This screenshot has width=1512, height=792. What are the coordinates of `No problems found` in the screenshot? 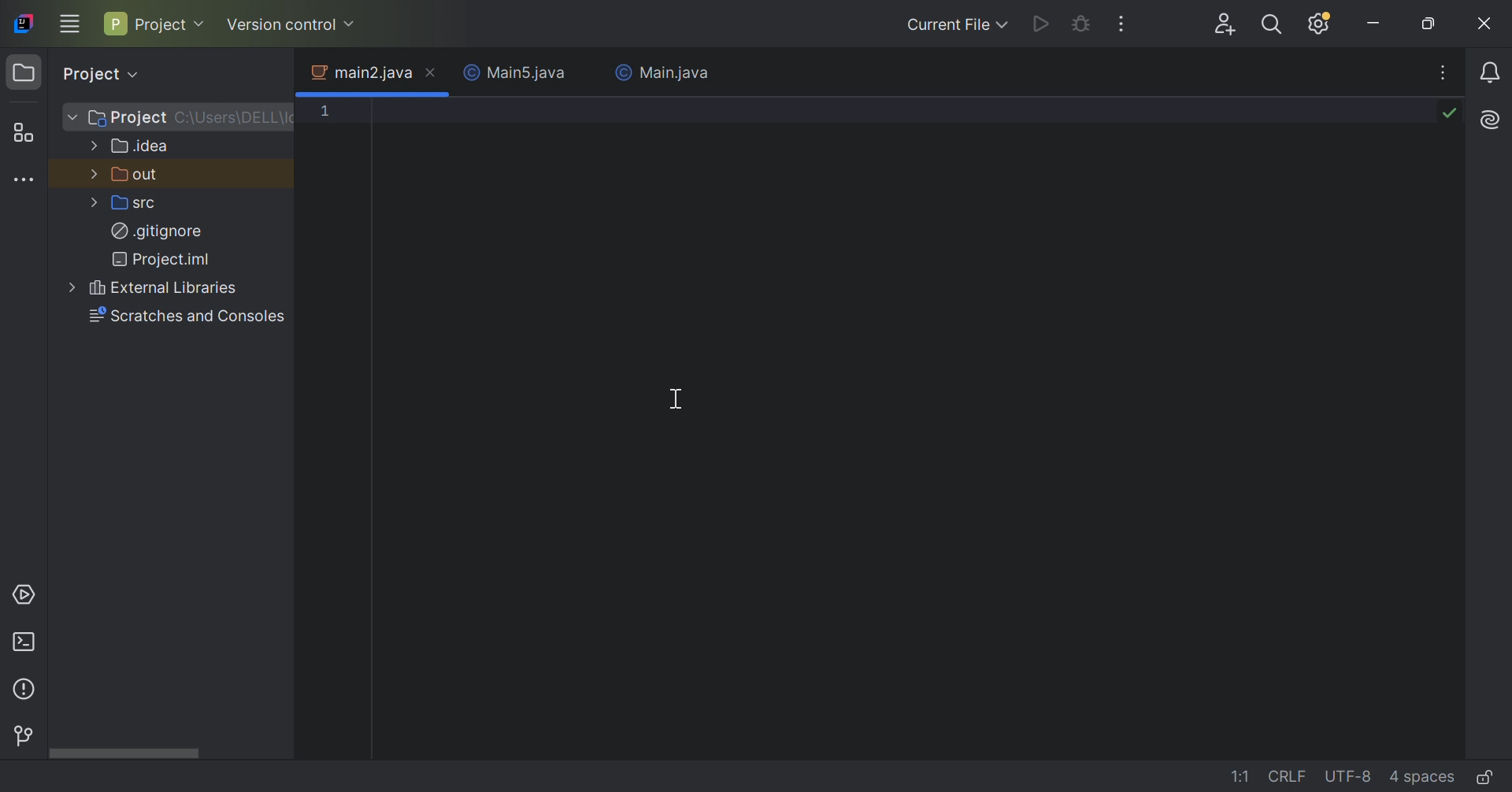 It's located at (1451, 115).